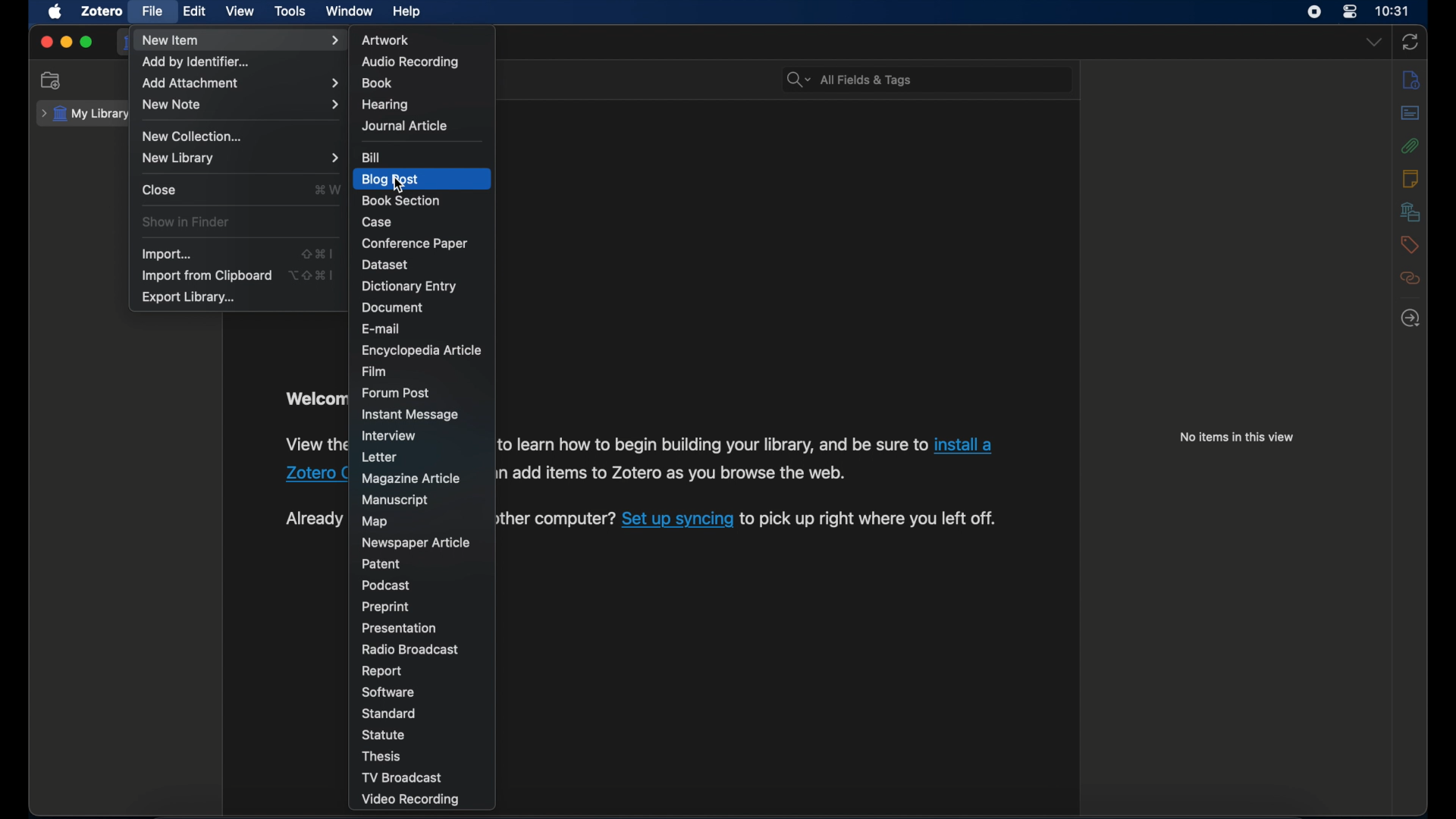  What do you see at coordinates (396, 500) in the screenshot?
I see `manuscript` at bounding box center [396, 500].